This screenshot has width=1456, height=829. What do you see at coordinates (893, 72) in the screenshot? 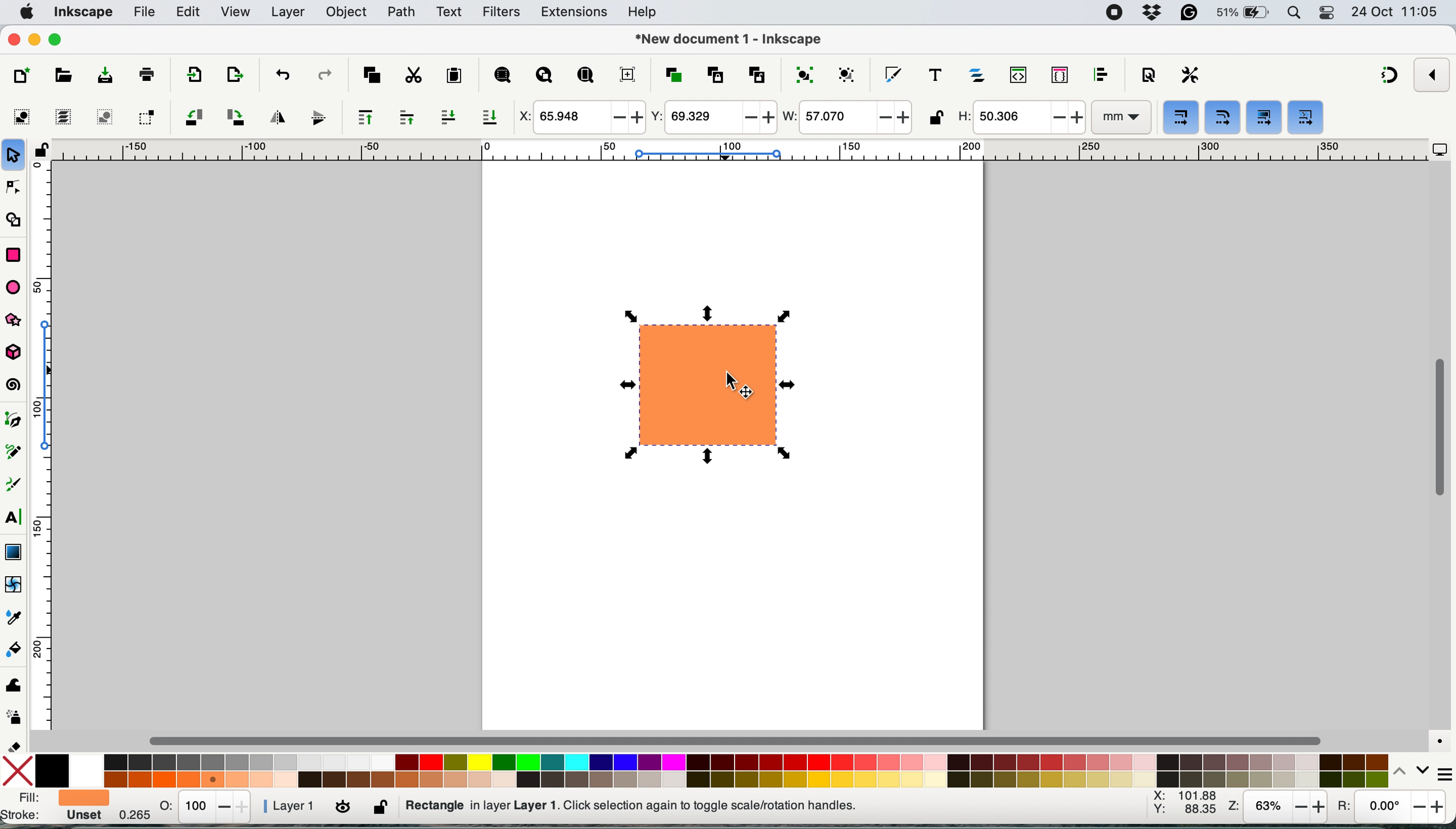
I see `fill and stroke` at bounding box center [893, 72].